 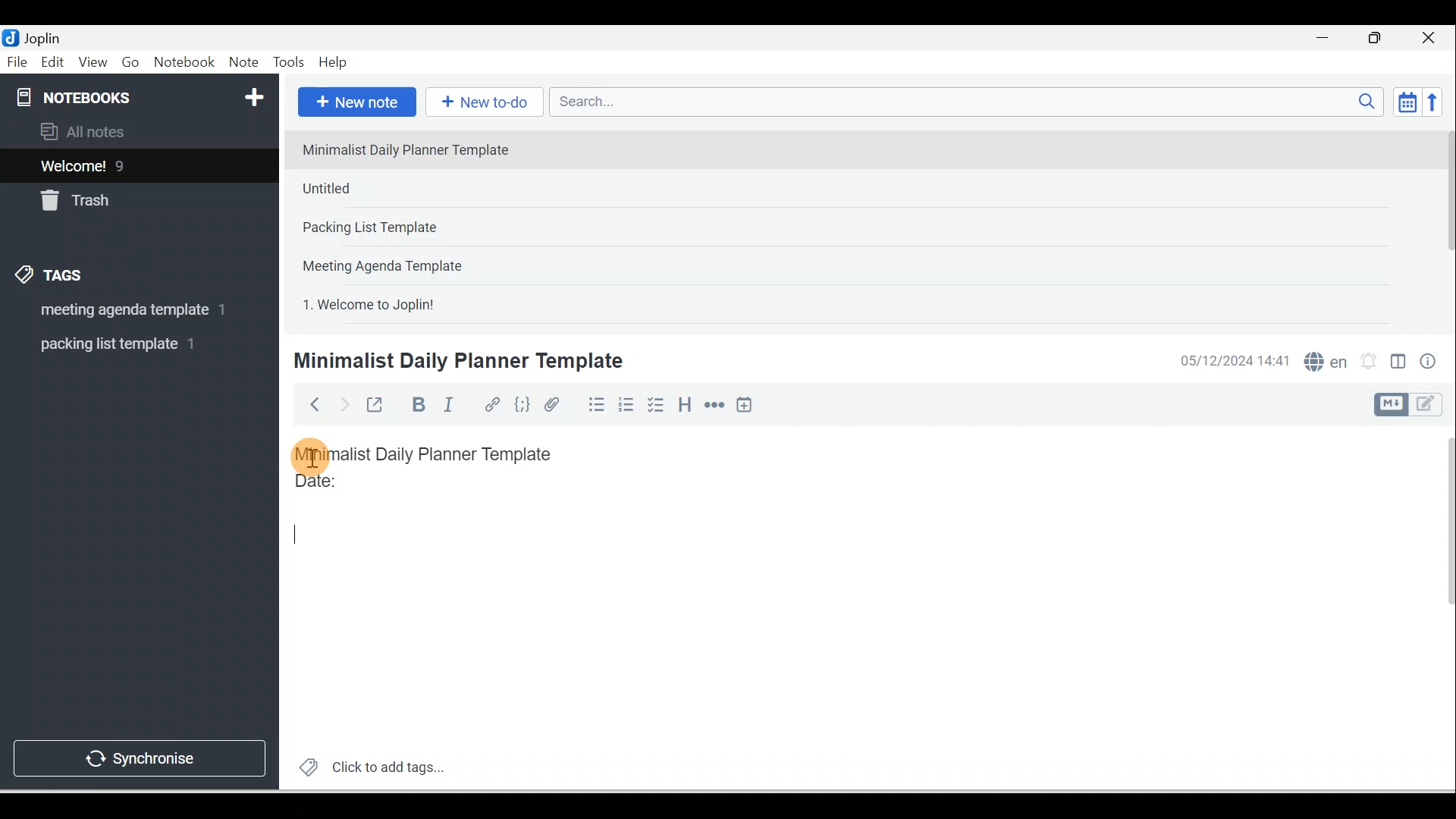 What do you see at coordinates (128, 344) in the screenshot?
I see `Tag 2` at bounding box center [128, 344].